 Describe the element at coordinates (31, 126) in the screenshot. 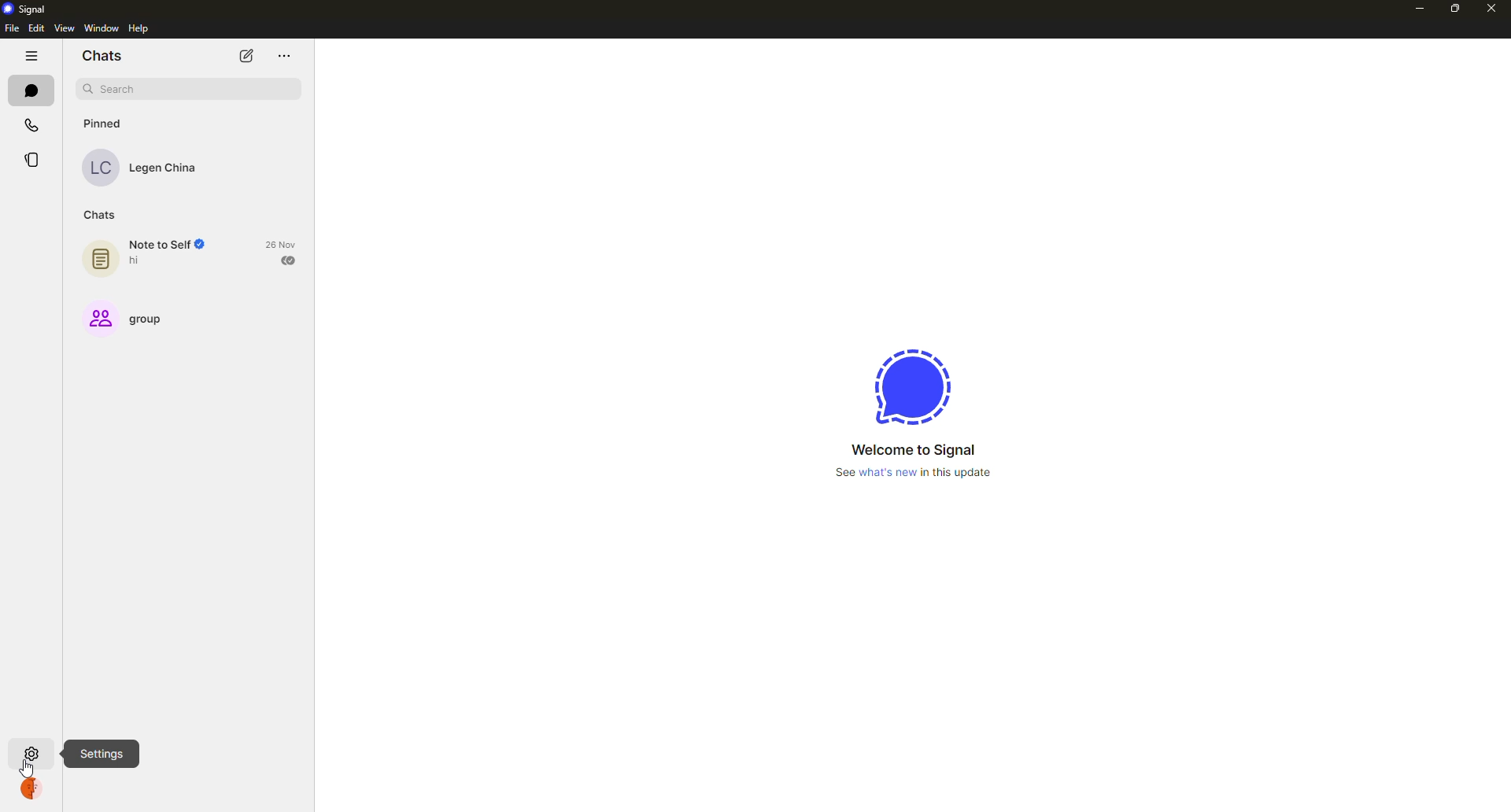

I see `calls` at that location.